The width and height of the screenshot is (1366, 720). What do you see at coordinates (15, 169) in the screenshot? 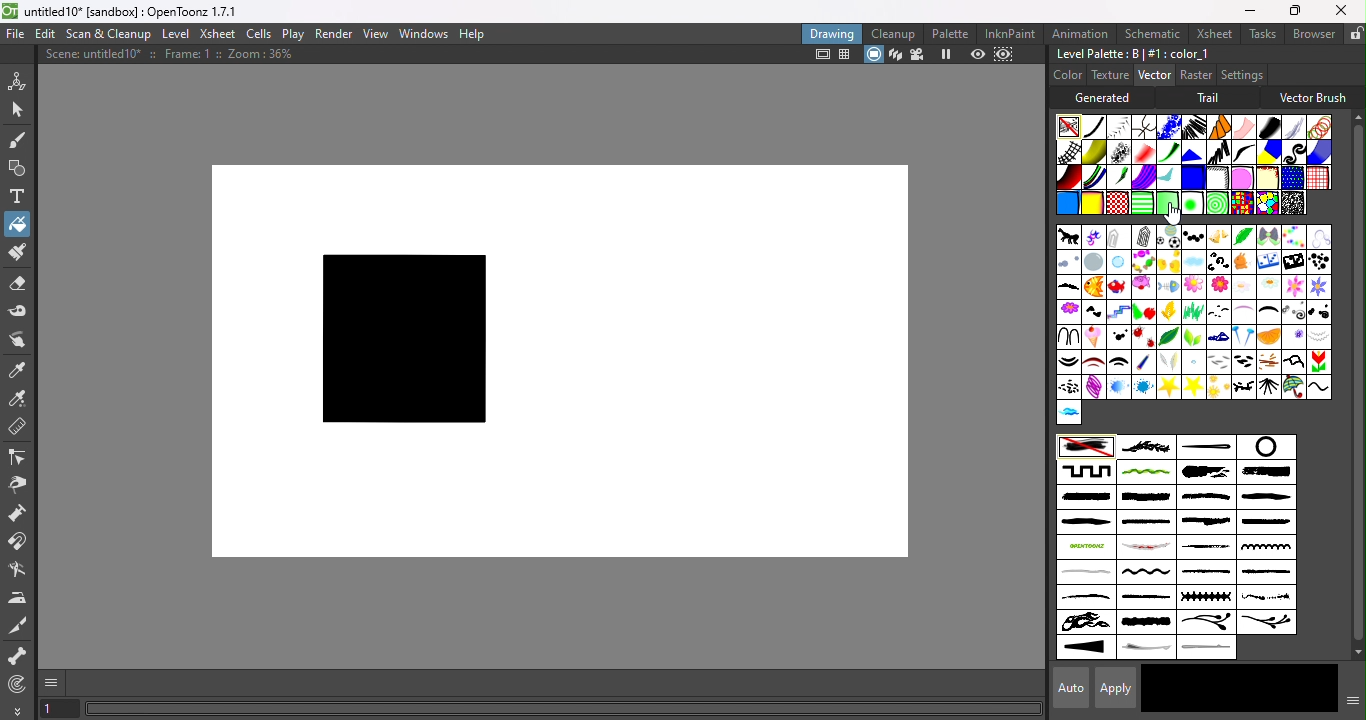
I see `Geometric tool` at bounding box center [15, 169].